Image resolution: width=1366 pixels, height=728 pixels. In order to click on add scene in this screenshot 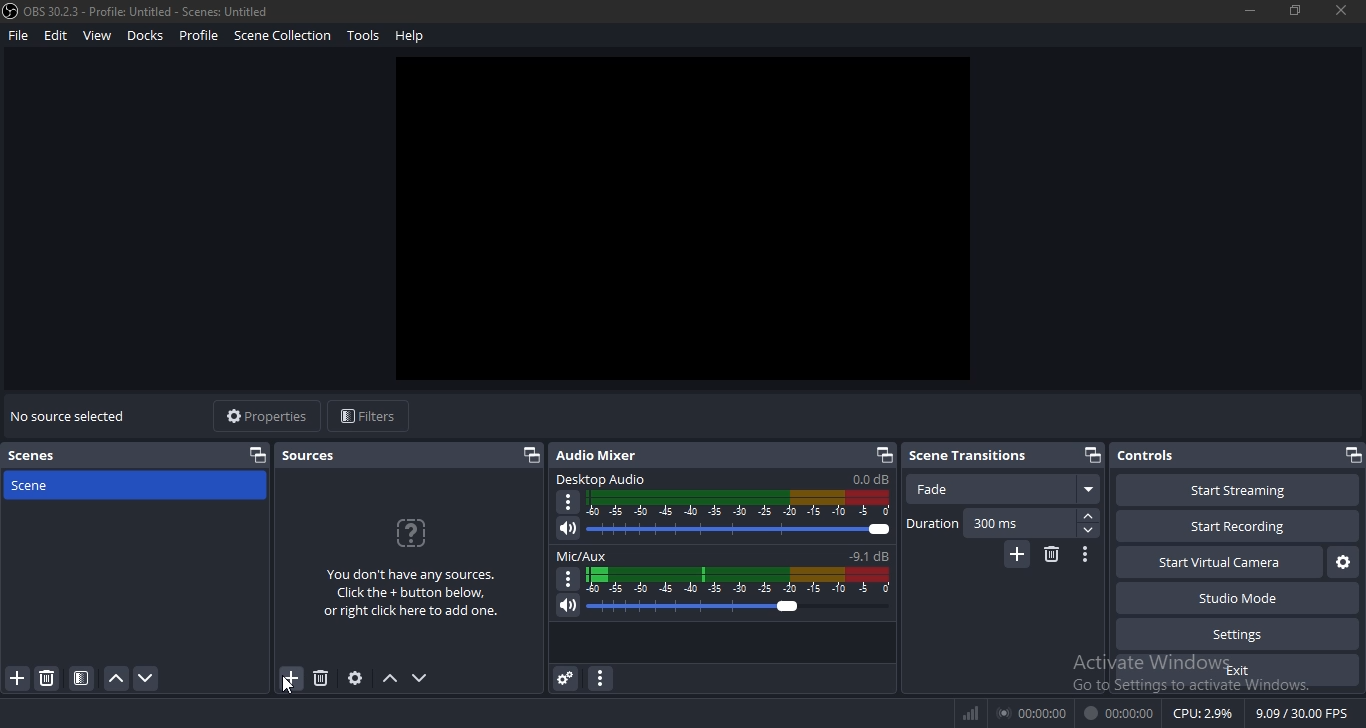, I will do `click(17, 678)`.